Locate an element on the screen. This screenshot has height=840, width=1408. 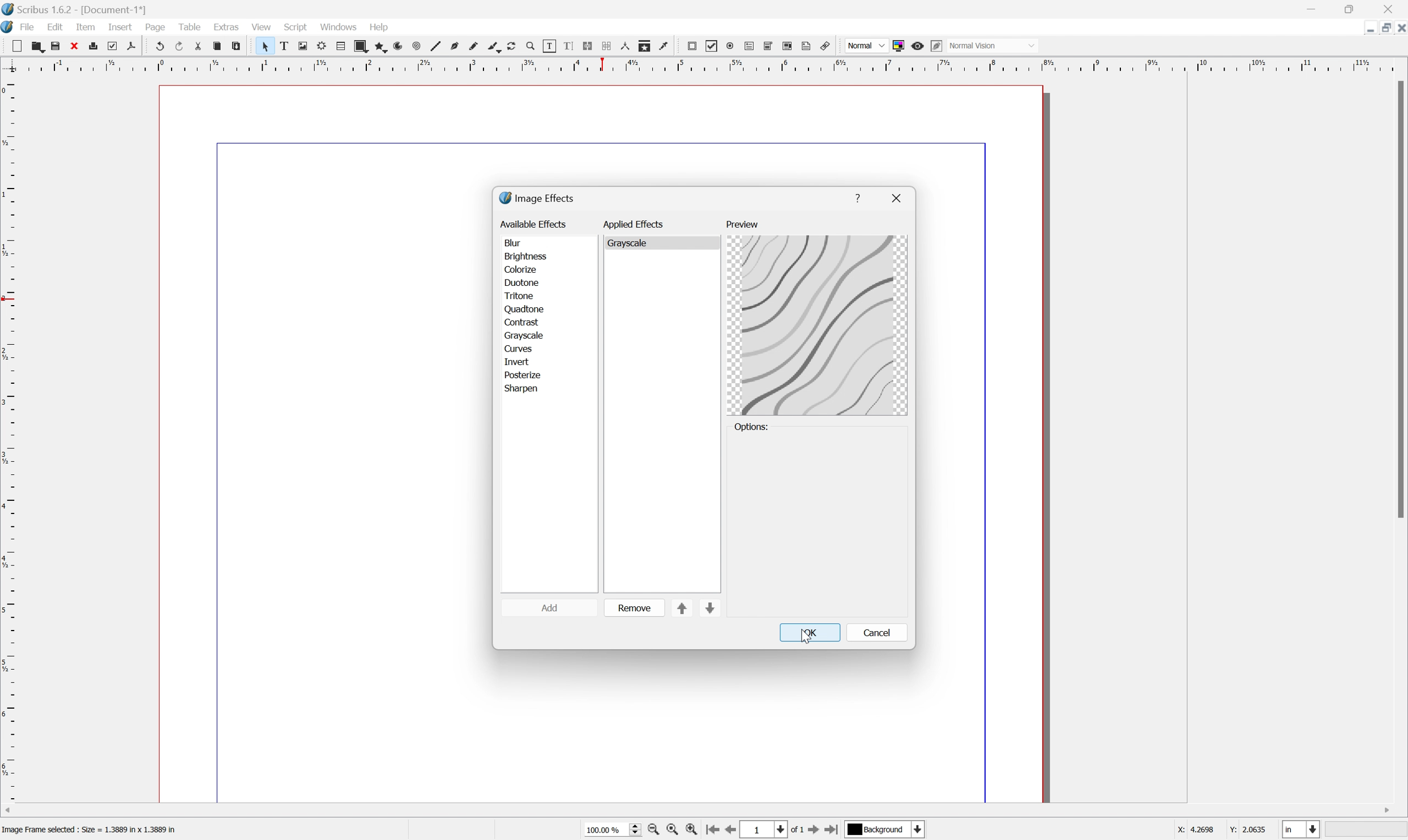
Save is located at coordinates (59, 45).